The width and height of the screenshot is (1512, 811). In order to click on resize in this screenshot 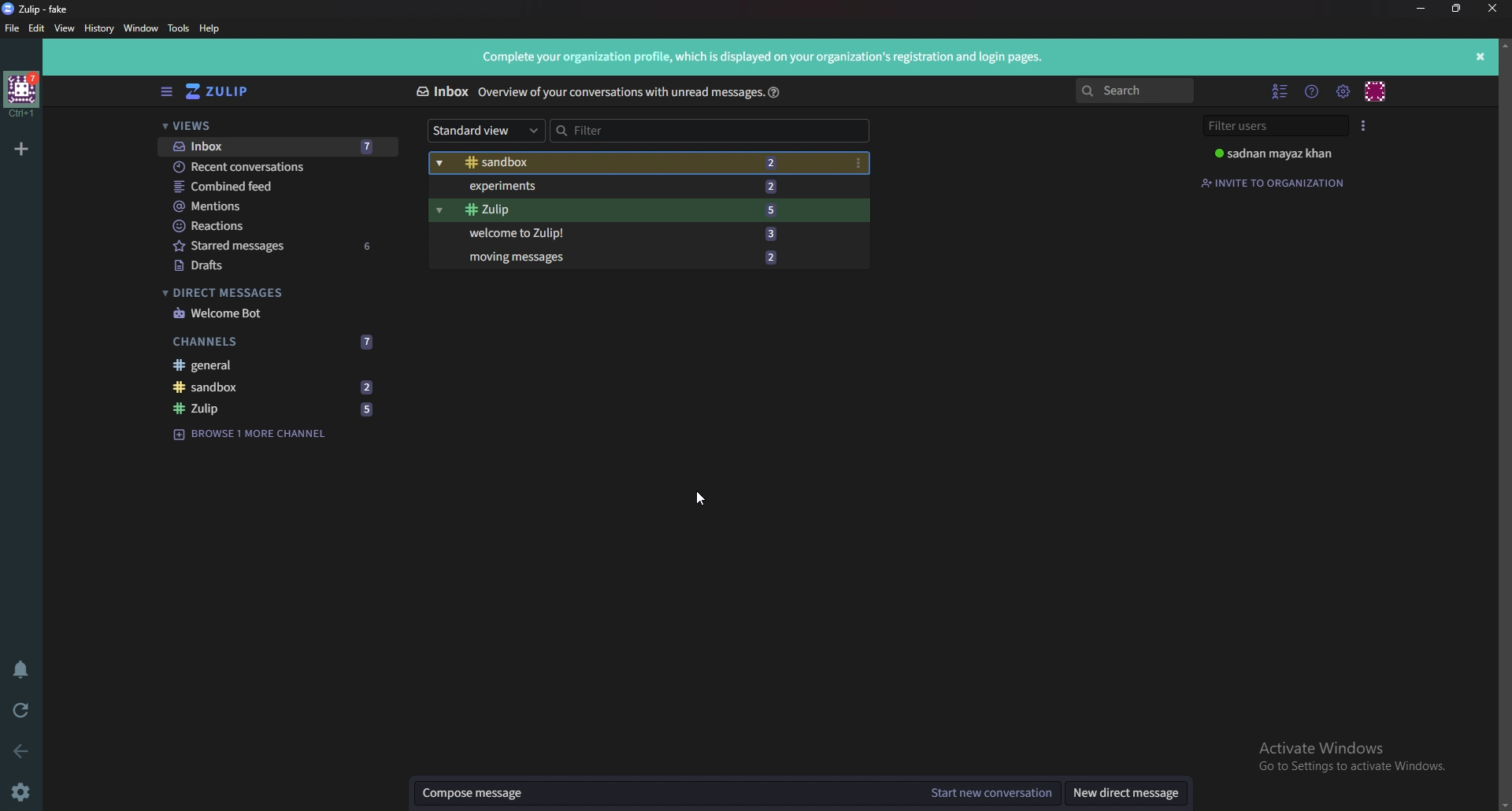, I will do `click(1456, 9)`.